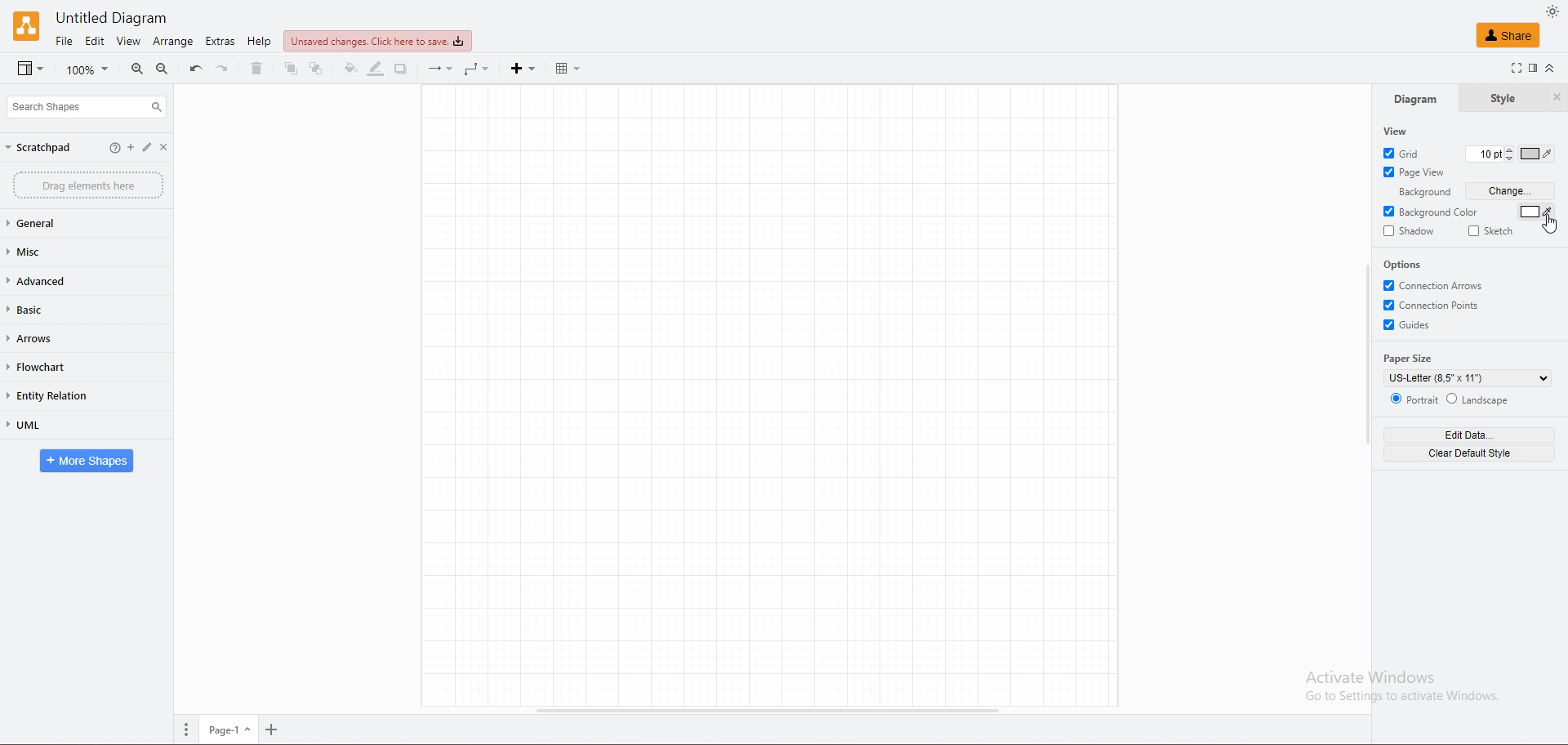  I want to click on waypoint, so click(479, 69).